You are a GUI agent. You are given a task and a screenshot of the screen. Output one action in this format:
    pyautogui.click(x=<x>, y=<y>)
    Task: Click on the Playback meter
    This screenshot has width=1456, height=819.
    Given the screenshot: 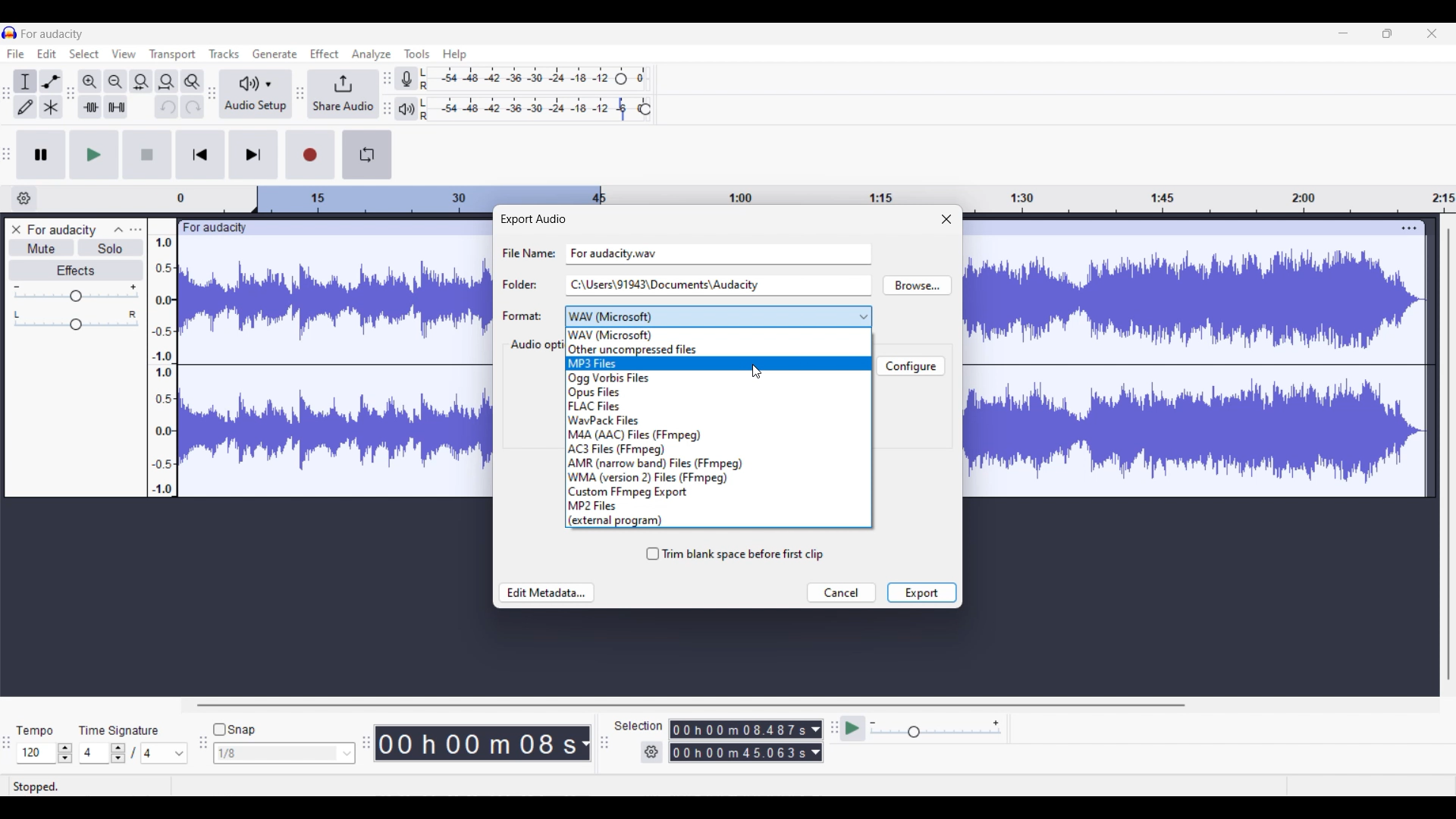 What is the action you would take?
    pyautogui.click(x=406, y=109)
    